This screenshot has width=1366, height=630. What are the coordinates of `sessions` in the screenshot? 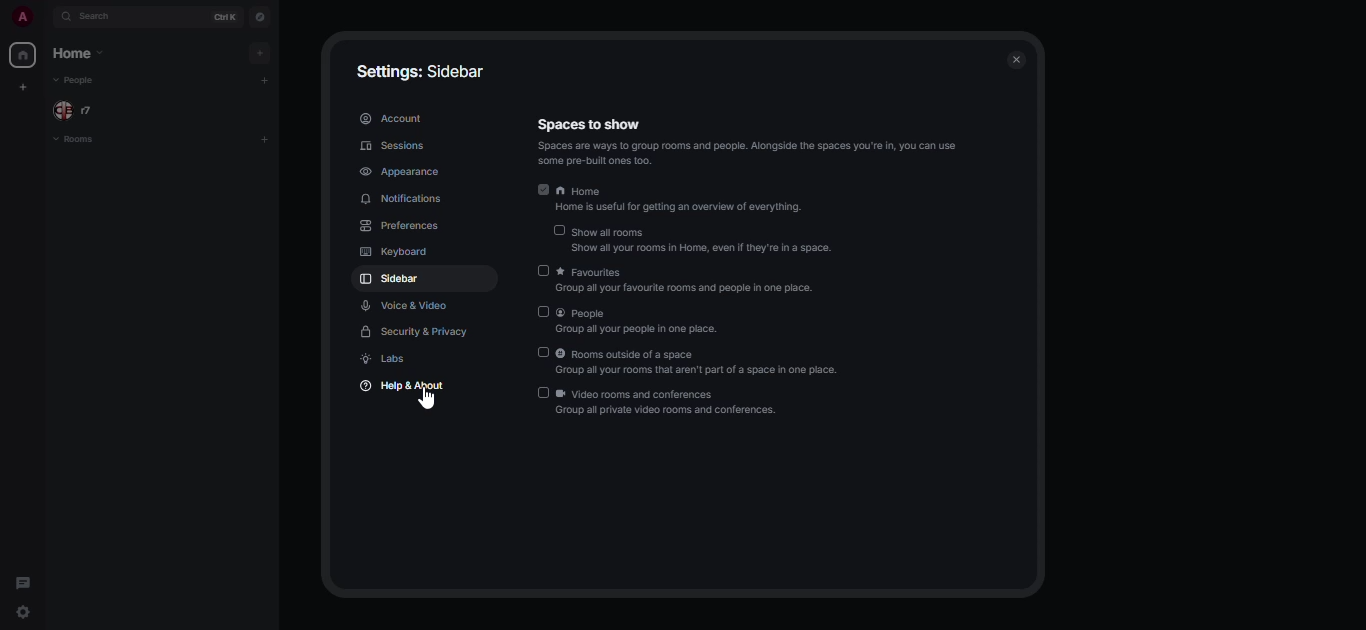 It's located at (397, 146).